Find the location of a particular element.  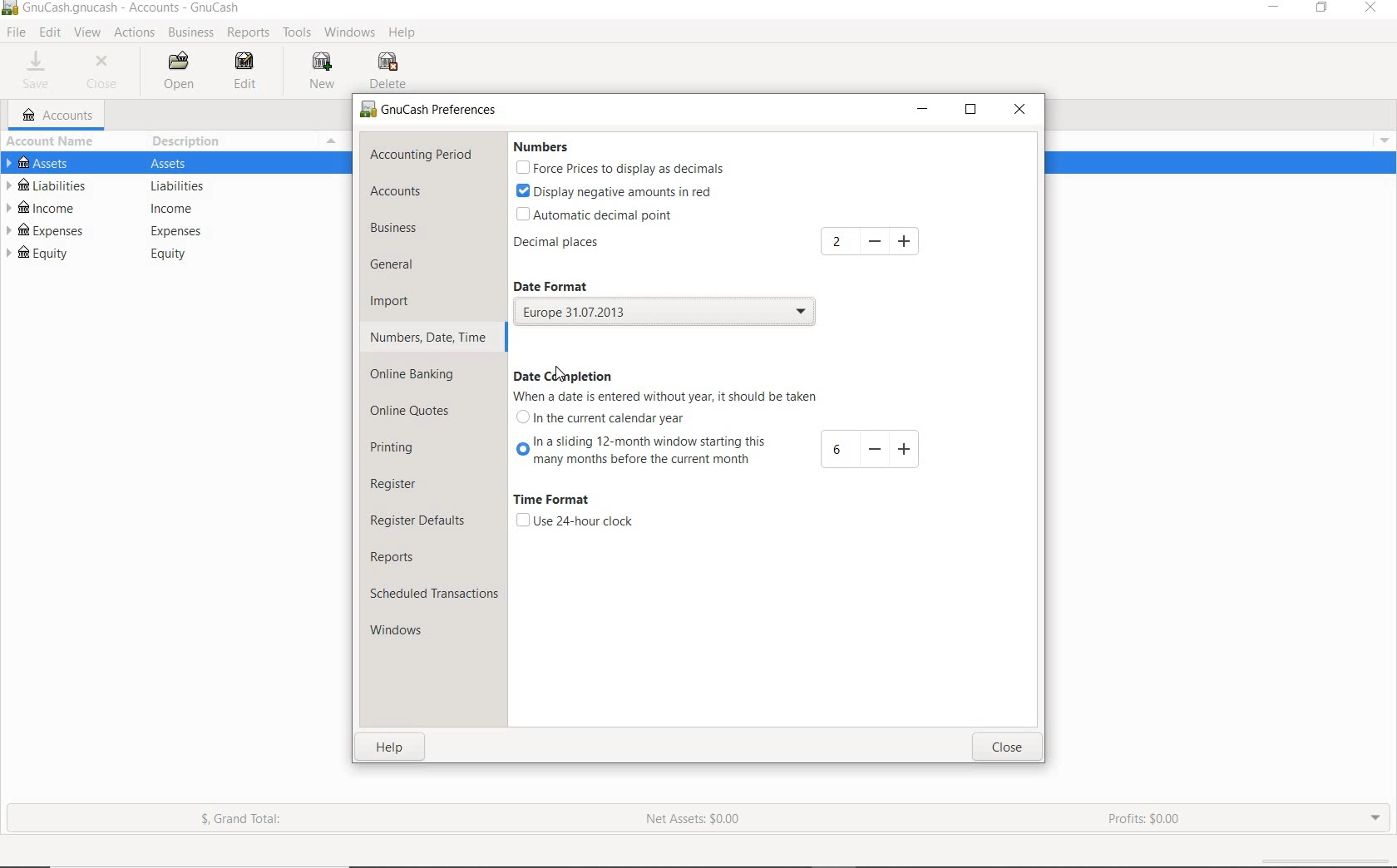

SYSTEM NAME is located at coordinates (125, 8).